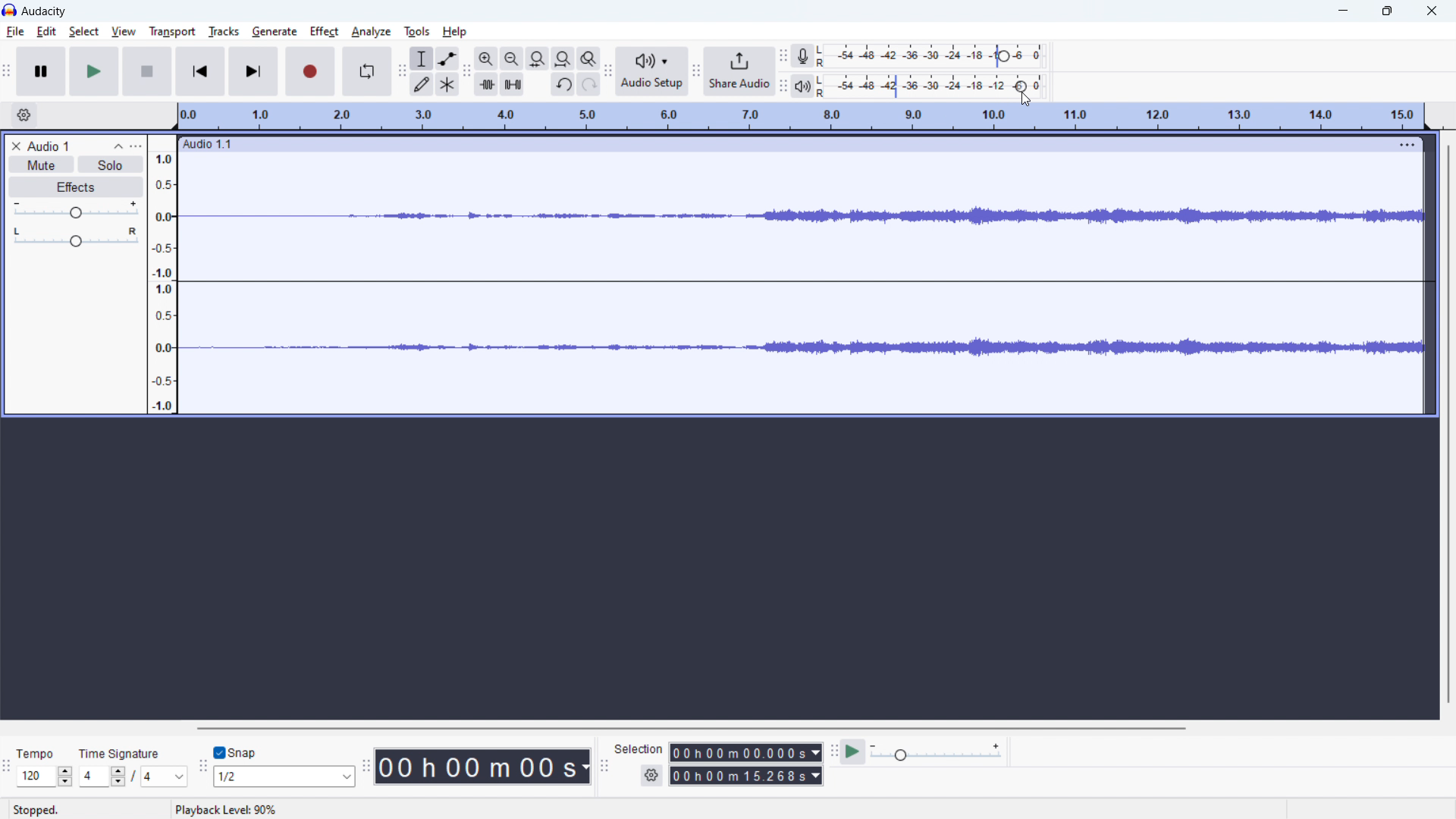 This screenshot has height=819, width=1456. Describe the element at coordinates (1387, 11) in the screenshot. I see `maximize` at that location.